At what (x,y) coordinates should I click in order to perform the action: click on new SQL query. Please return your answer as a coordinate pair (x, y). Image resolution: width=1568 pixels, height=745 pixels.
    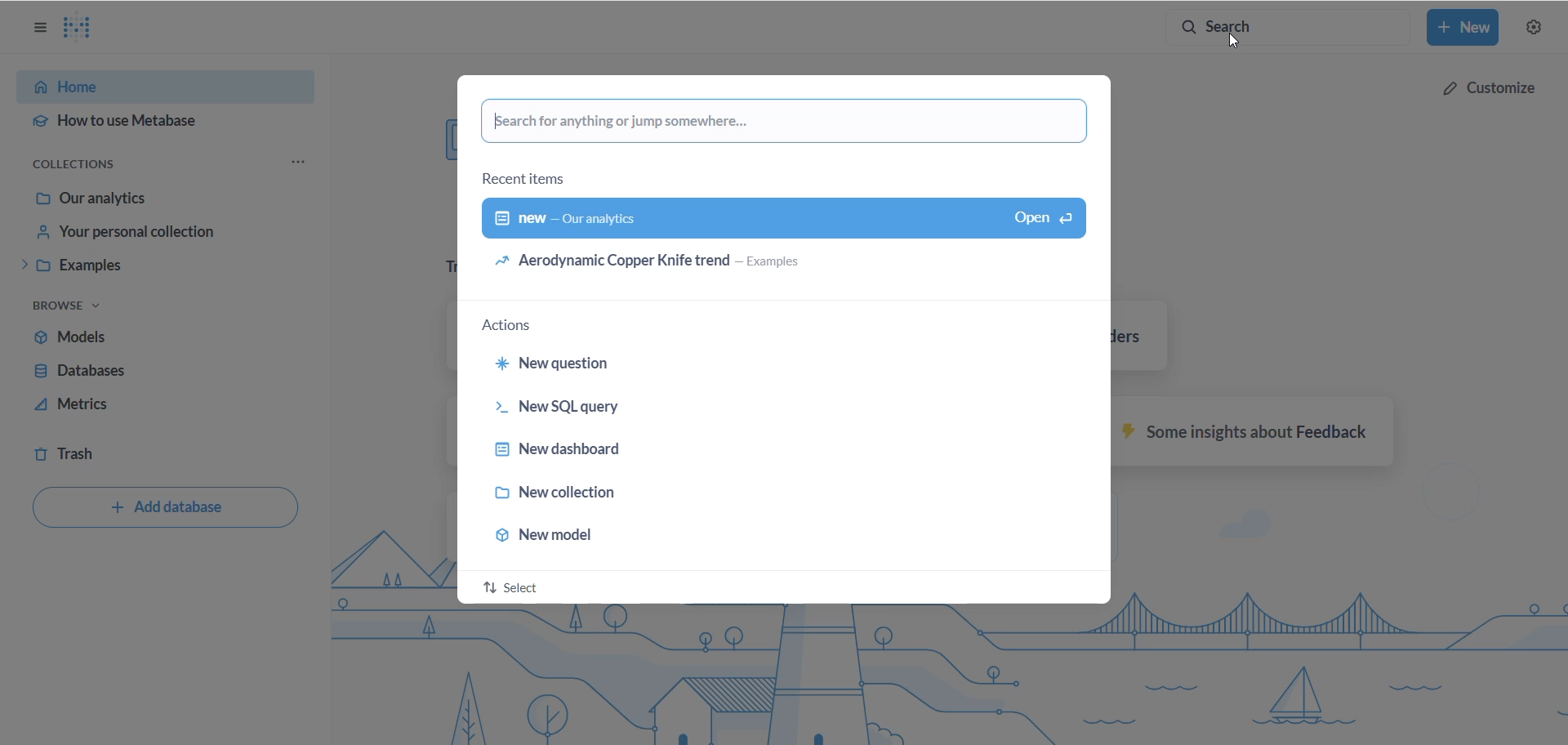
    Looking at the image, I should click on (760, 408).